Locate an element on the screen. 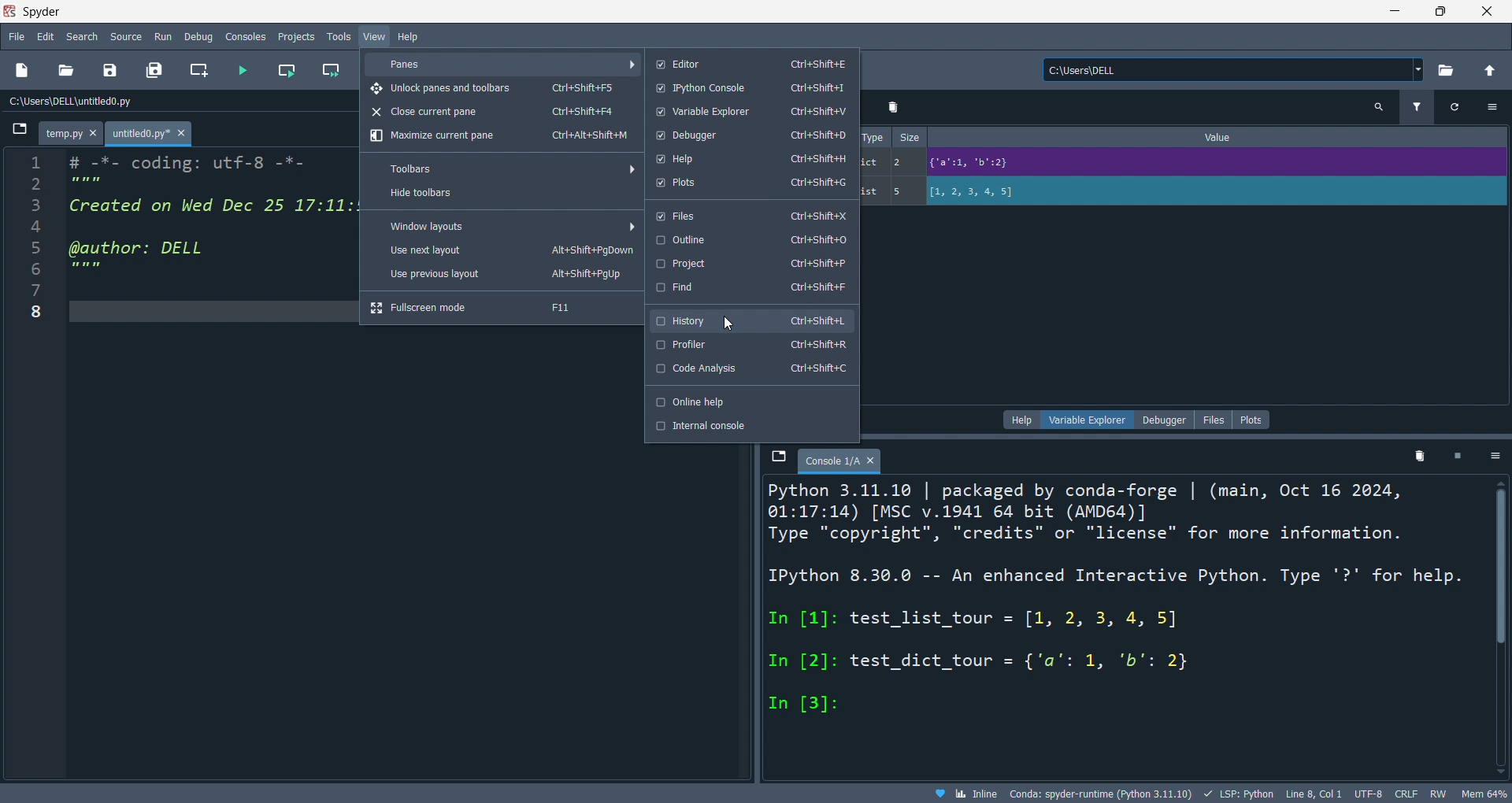 Image resolution: width=1512 pixels, height=803 pixels. plots is located at coordinates (748, 184).